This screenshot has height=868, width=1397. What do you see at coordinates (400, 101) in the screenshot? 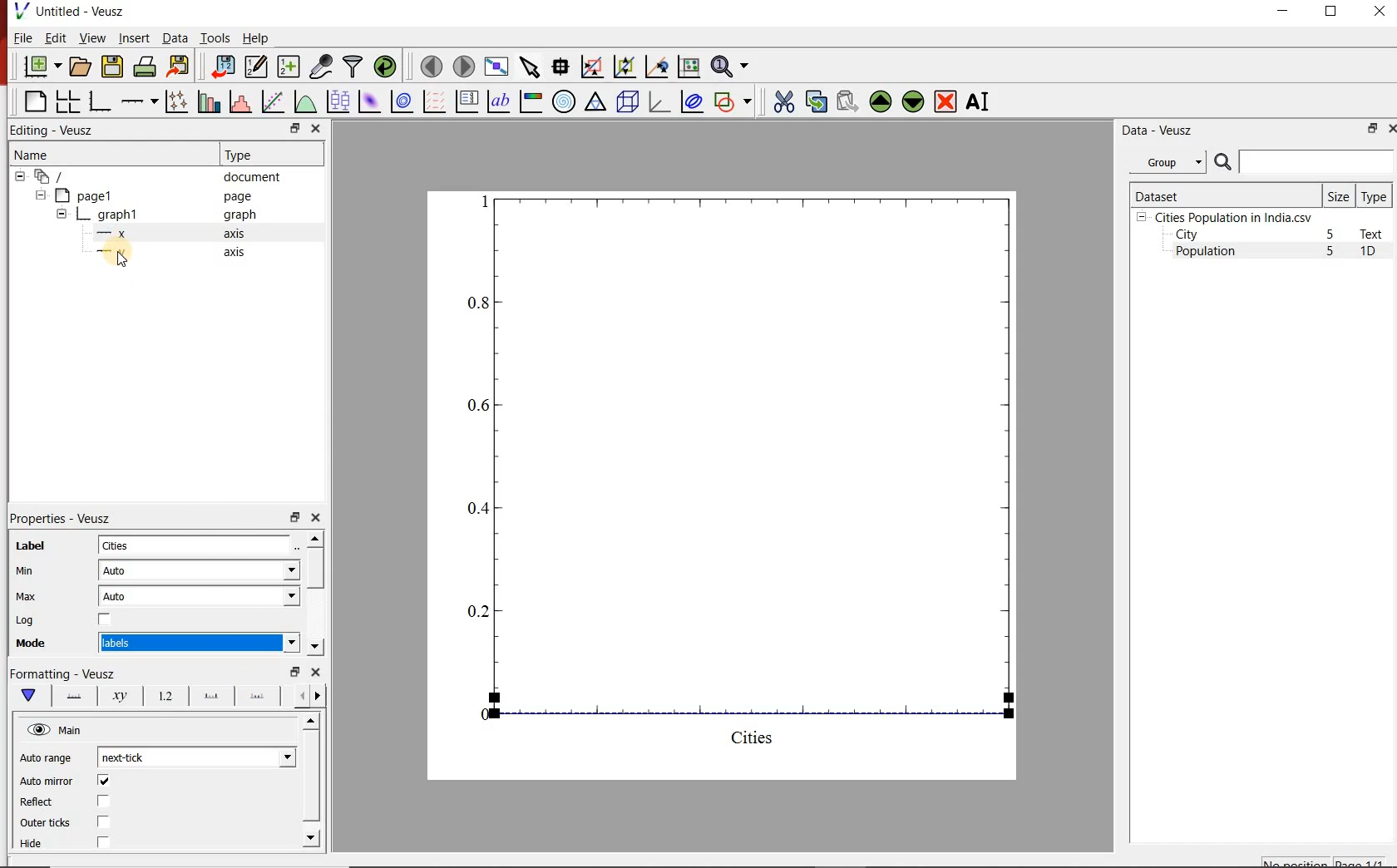
I see `plot a 2d dataset as contours` at bounding box center [400, 101].